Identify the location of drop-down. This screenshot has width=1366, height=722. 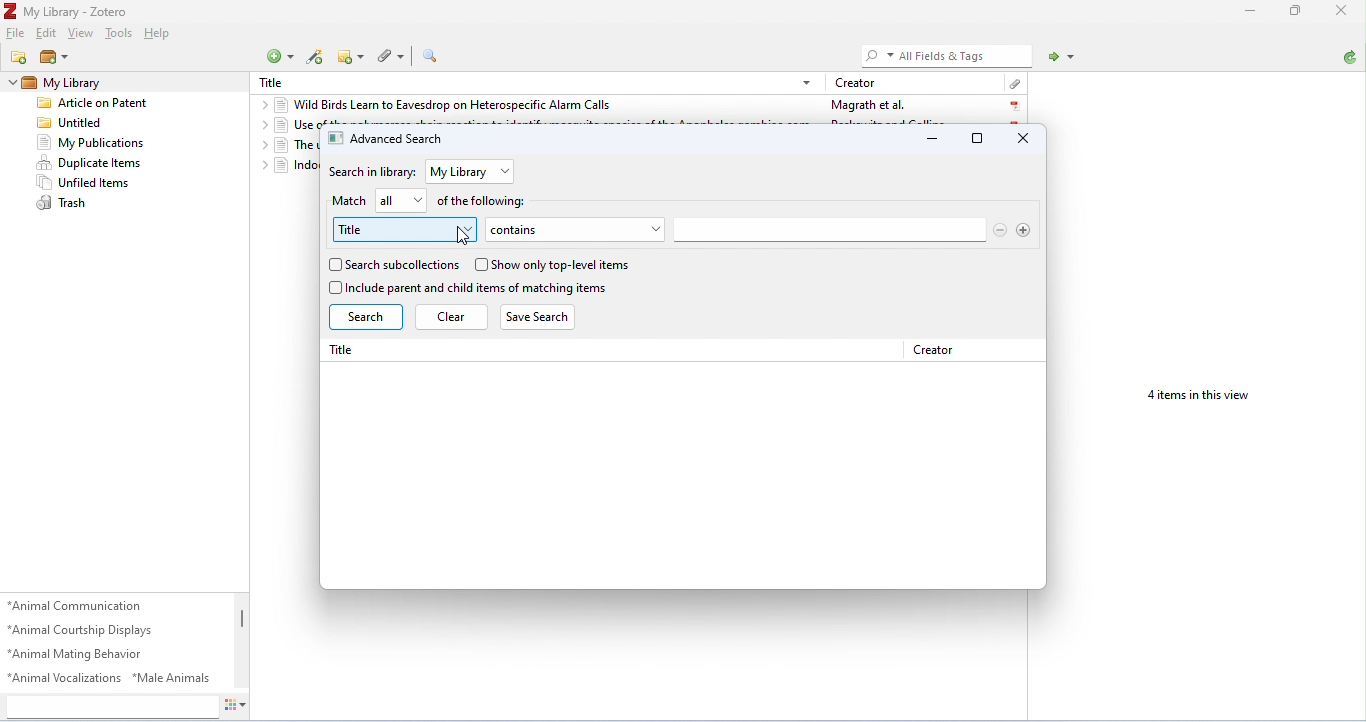
(259, 165).